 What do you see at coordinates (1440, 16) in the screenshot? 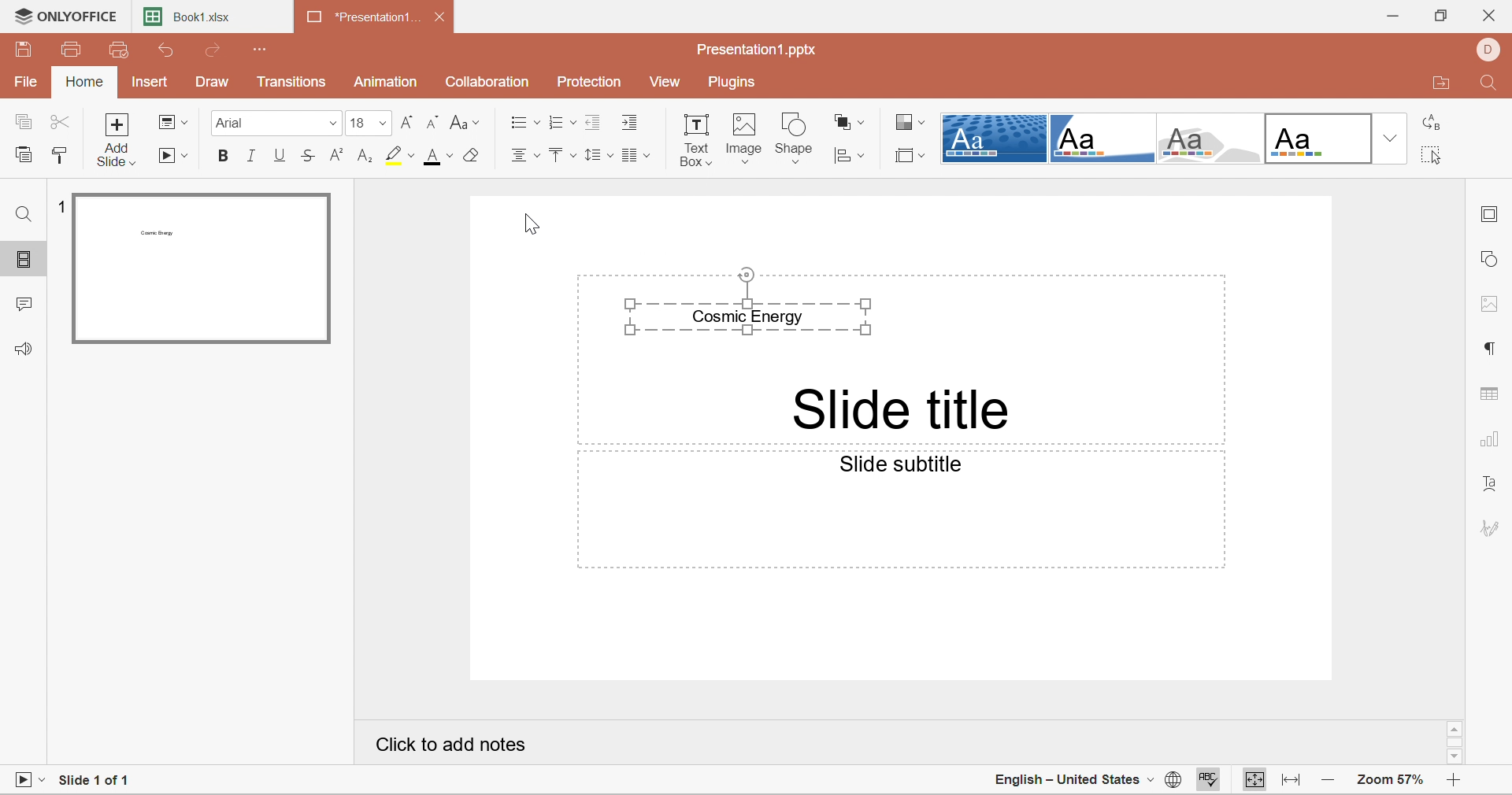
I see `Restore Down` at bounding box center [1440, 16].